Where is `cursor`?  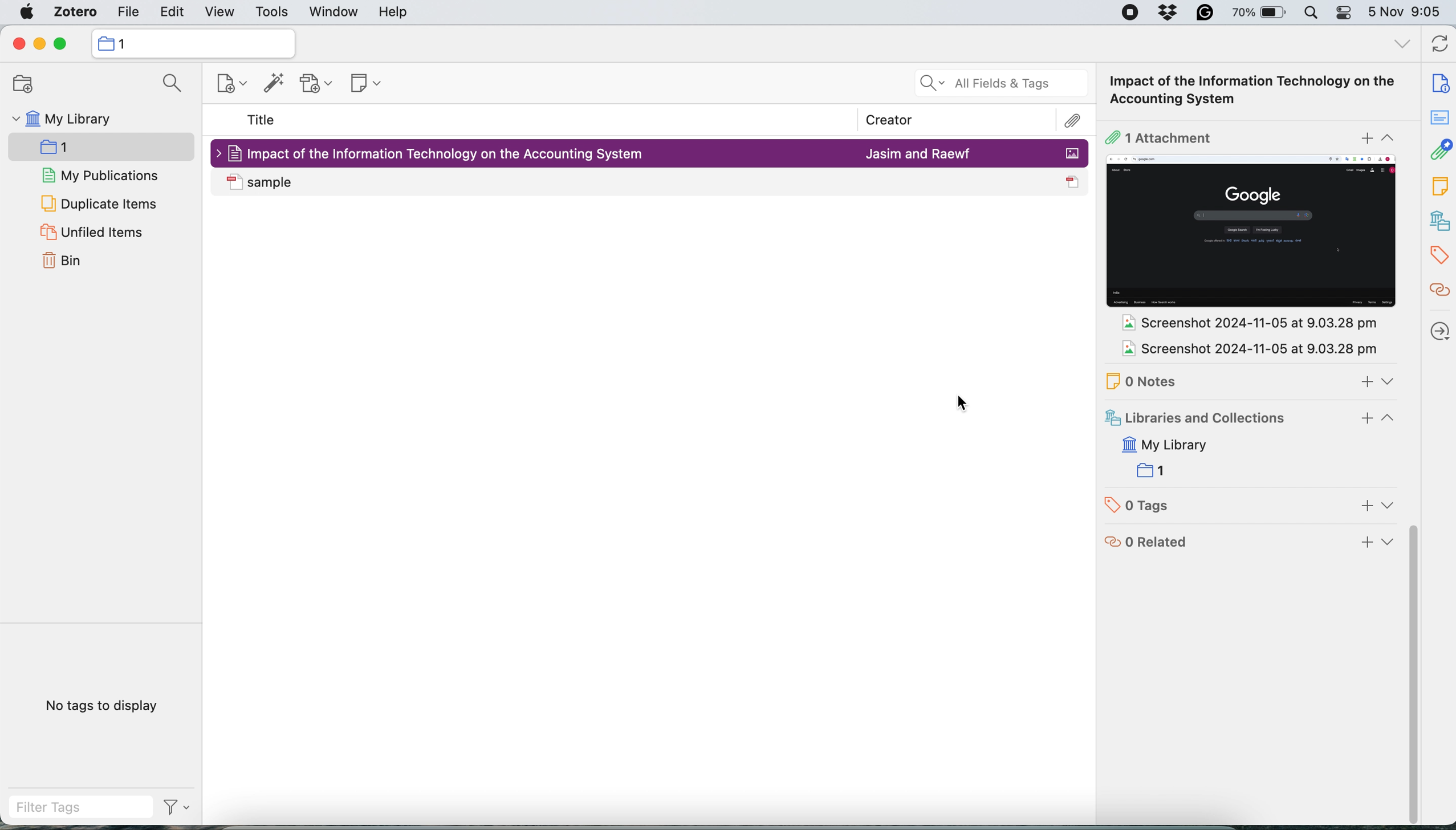
cursor is located at coordinates (964, 406).